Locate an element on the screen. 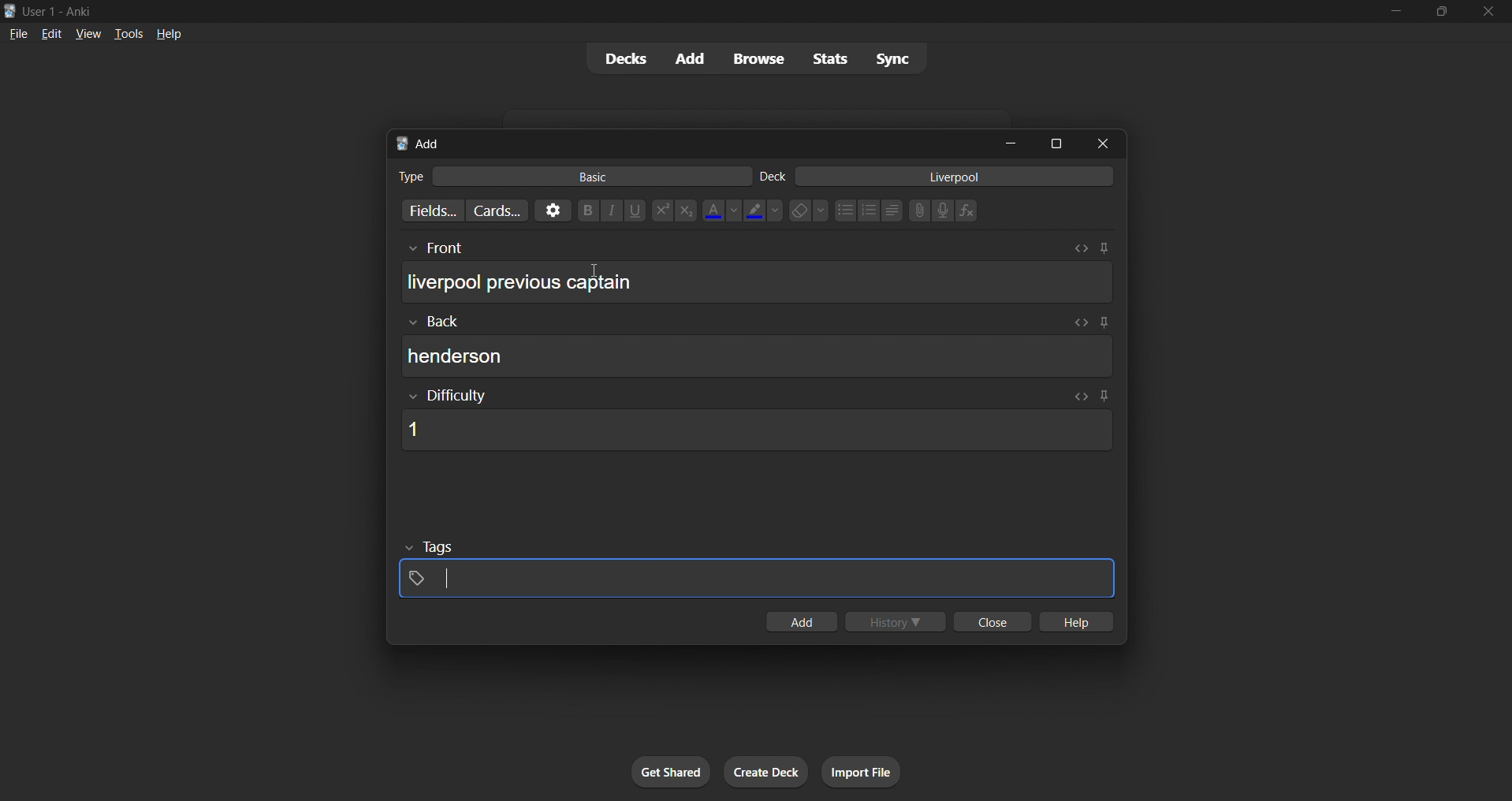 This screenshot has height=801, width=1512. add is located at coordinates (799, 623).